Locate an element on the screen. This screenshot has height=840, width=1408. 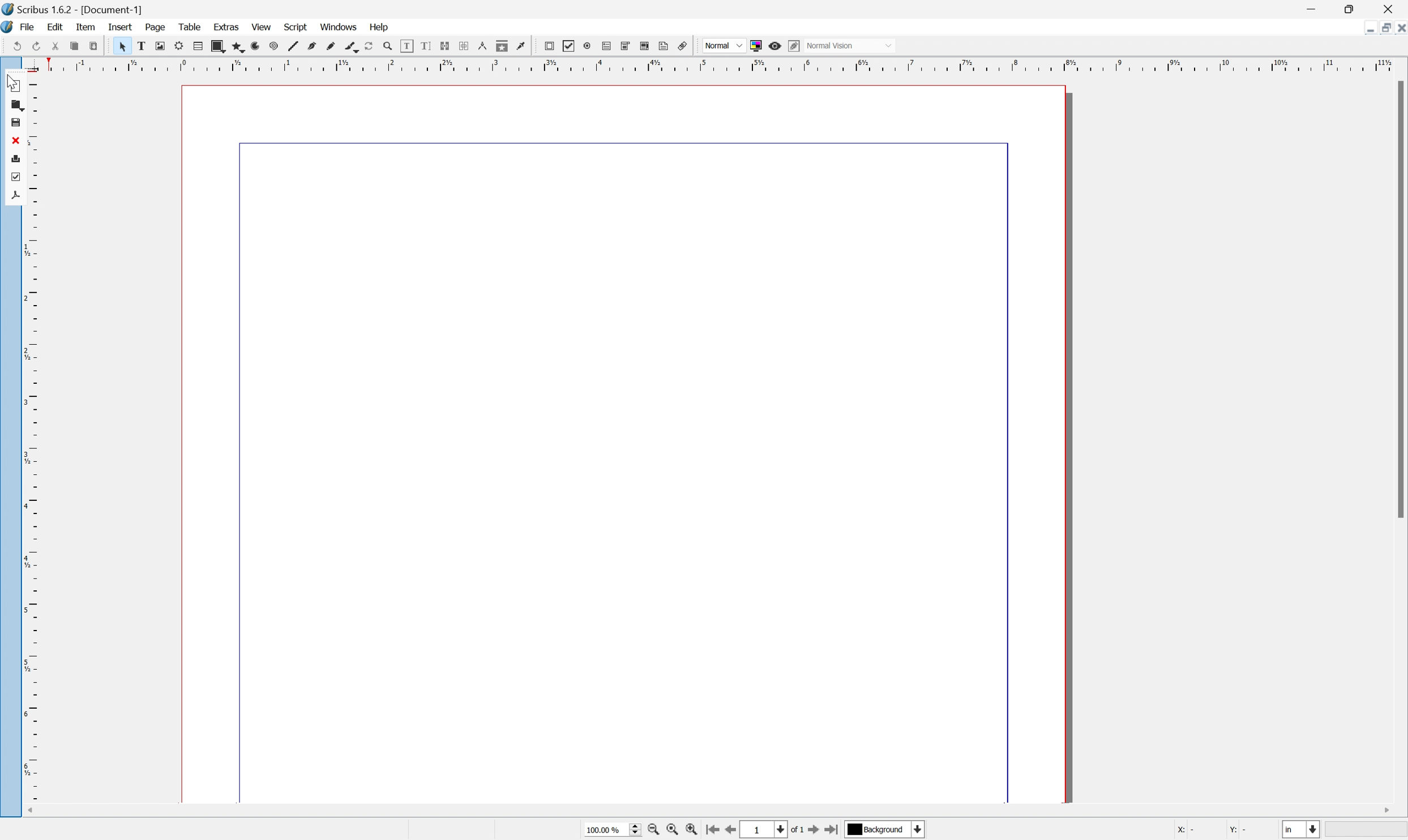
rotate item is located at coordinates (502, 46).